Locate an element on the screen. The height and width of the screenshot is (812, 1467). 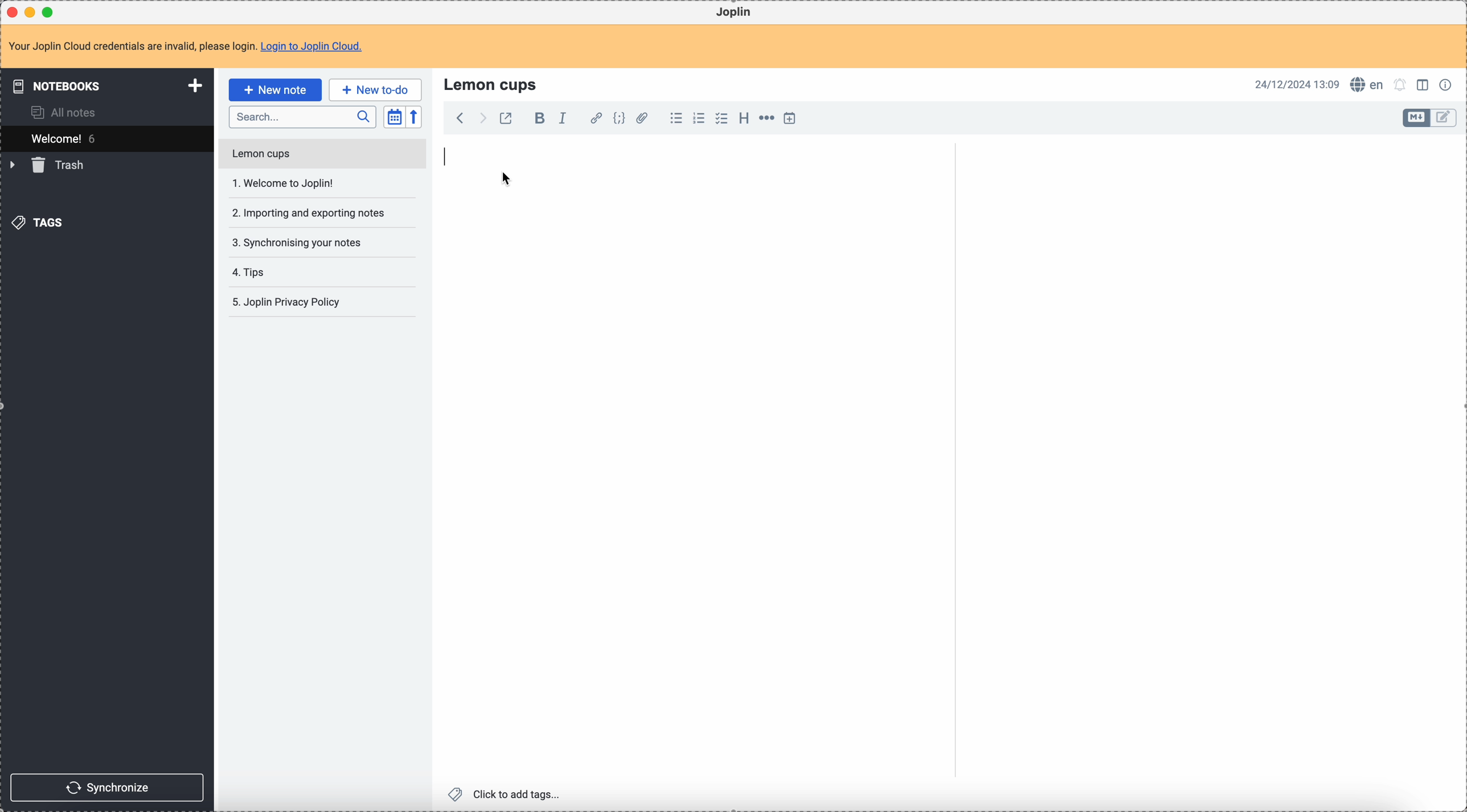
code is located at coordinates (619, 119).